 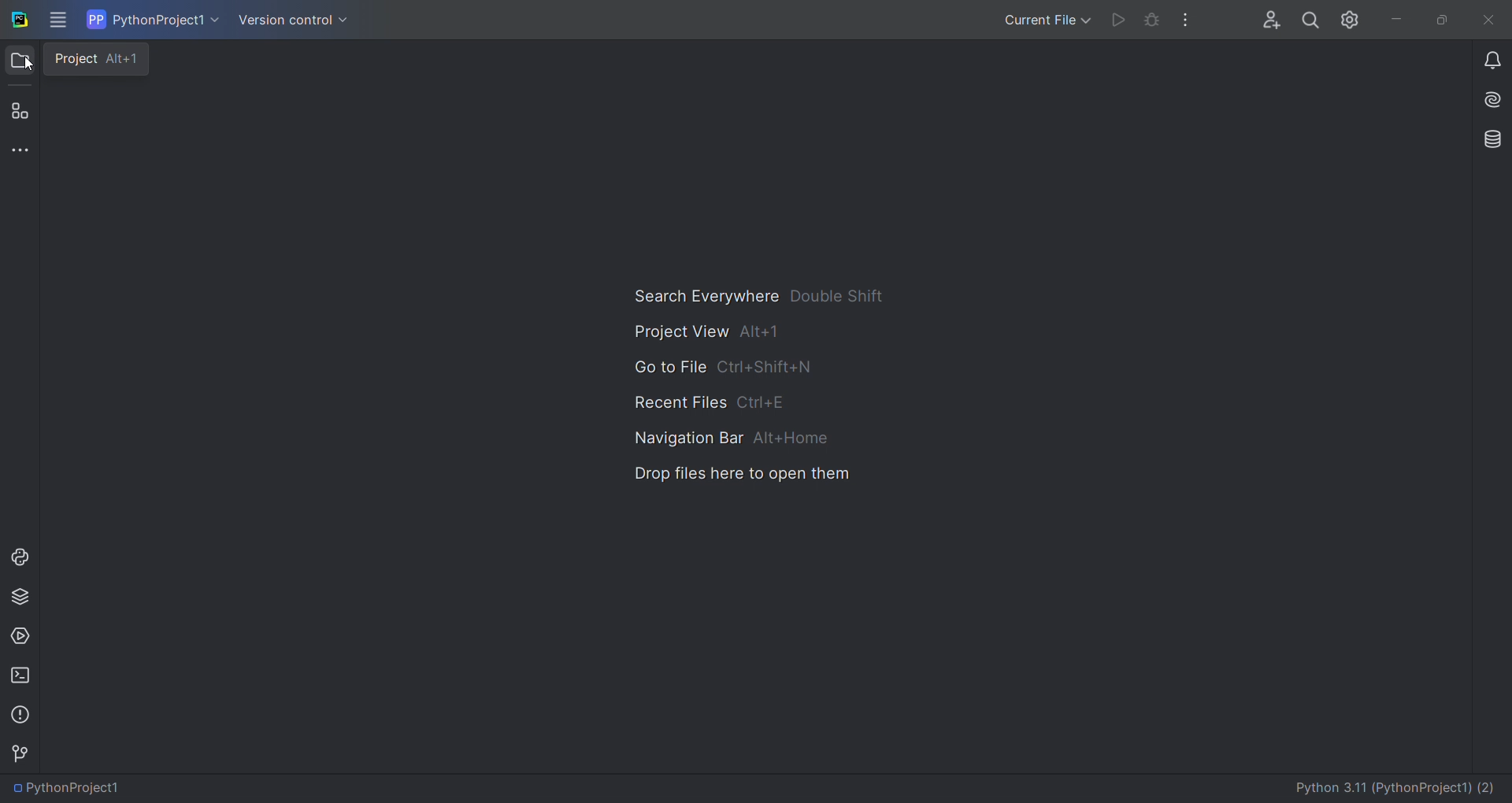 I want to click on PythonProject1, so click(x=82, y=786).